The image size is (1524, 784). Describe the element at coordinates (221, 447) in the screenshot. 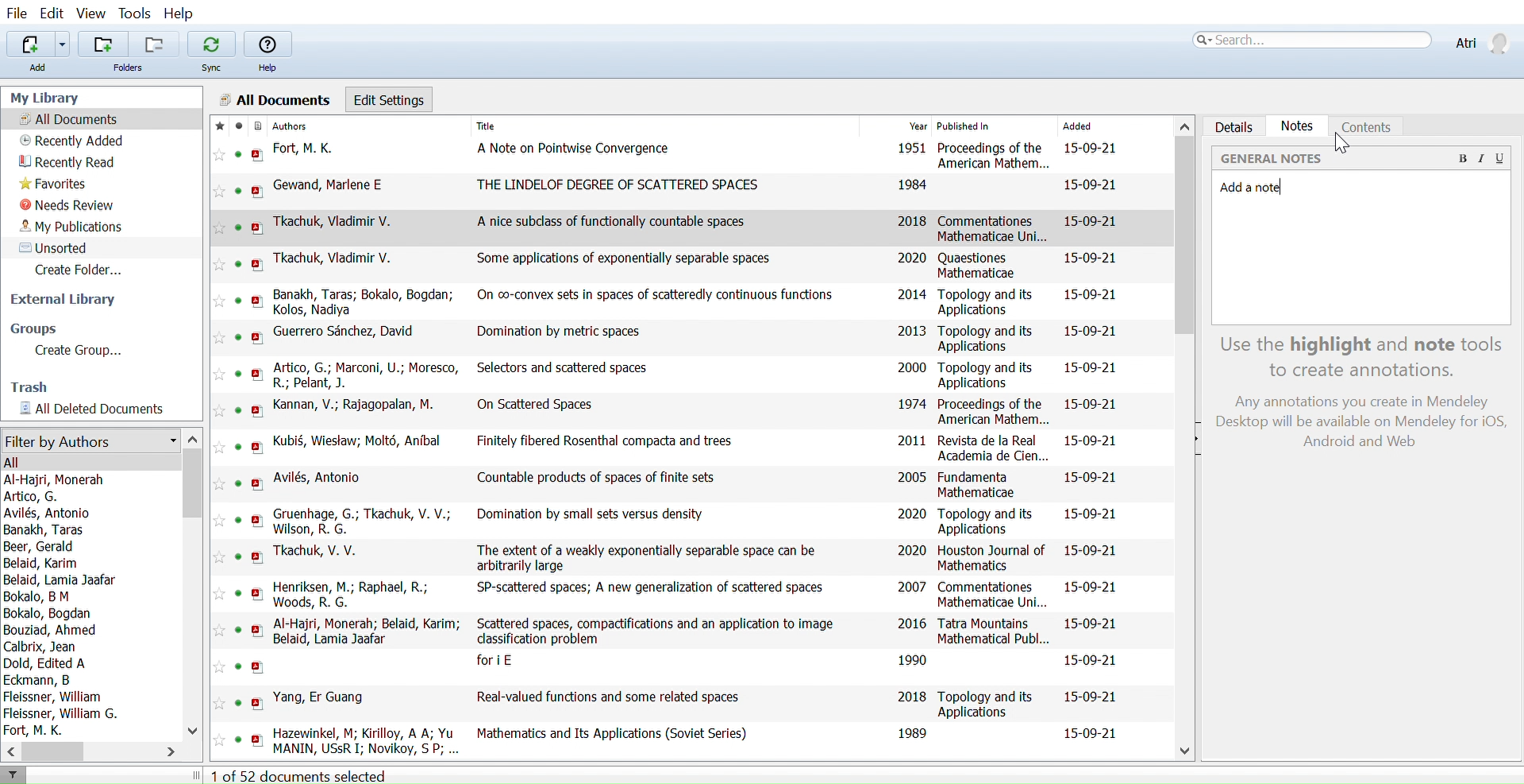

I see `Add this reference to favorites` at that location.